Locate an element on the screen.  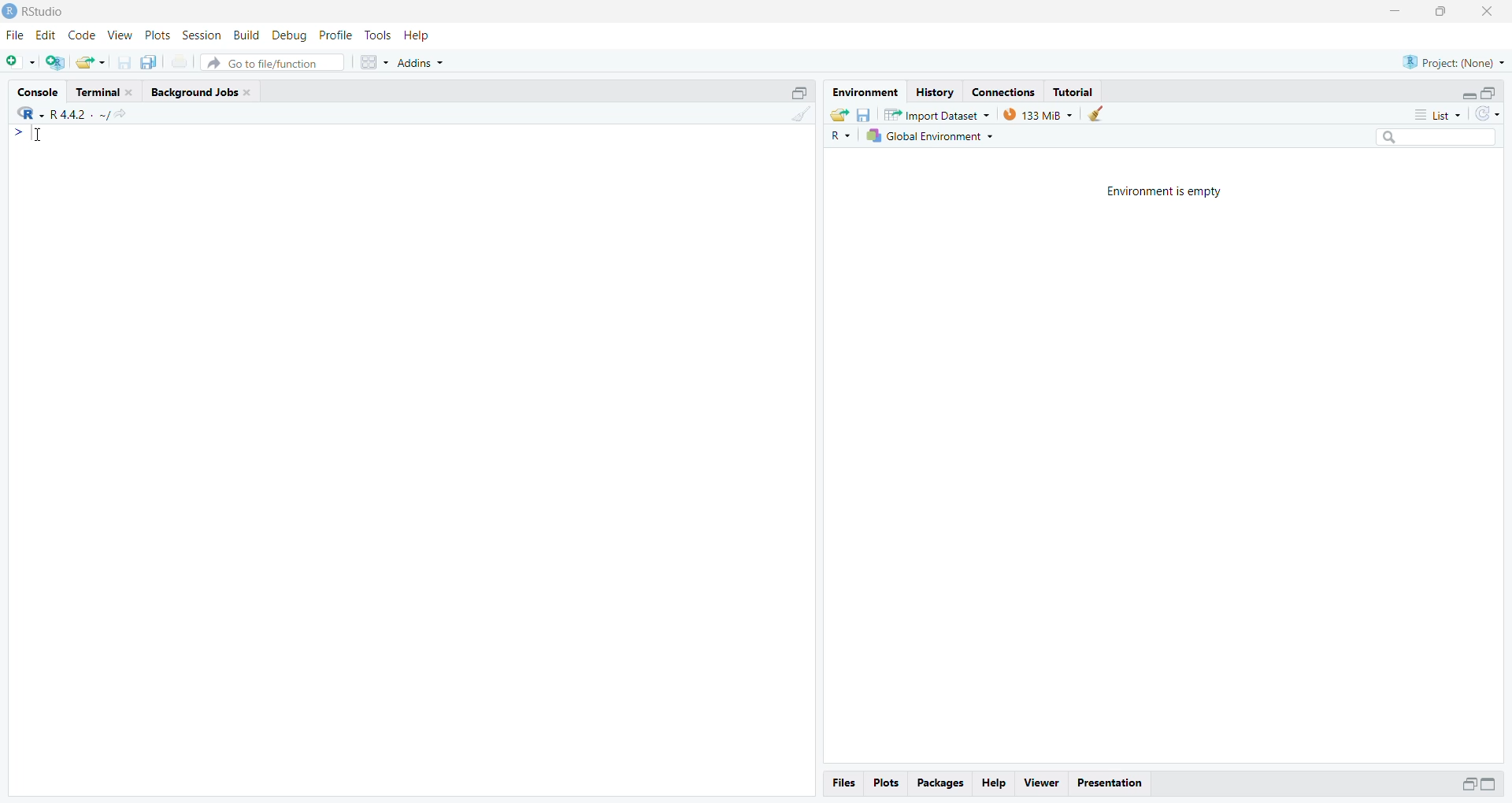
Connections is located at coordinates (1003, 92).